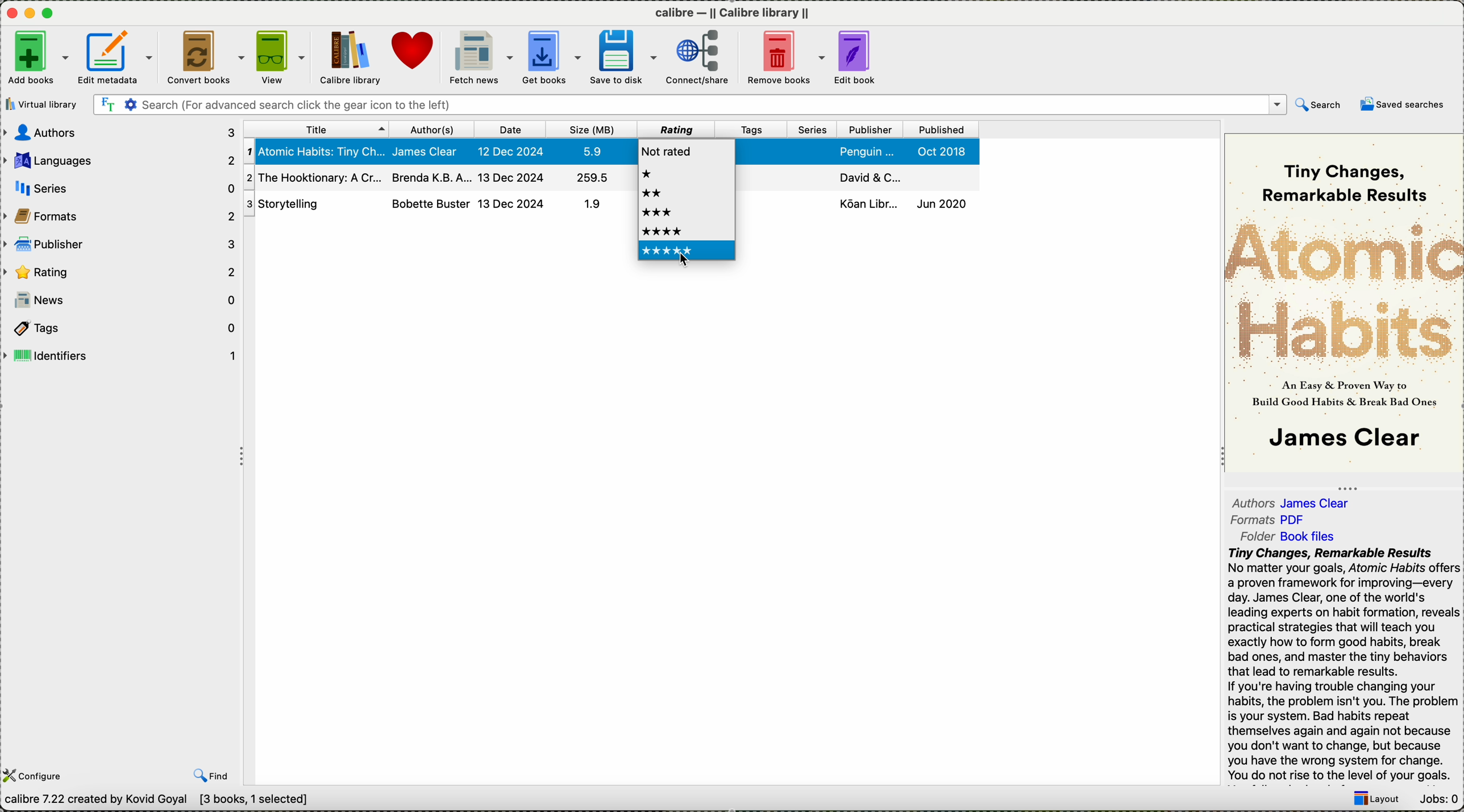 Image resolution: width=1464 pixels, height=812 pixels. Describe the element at coordinates (868, 203) in the screenshot. I see `koan libr...` at that location.